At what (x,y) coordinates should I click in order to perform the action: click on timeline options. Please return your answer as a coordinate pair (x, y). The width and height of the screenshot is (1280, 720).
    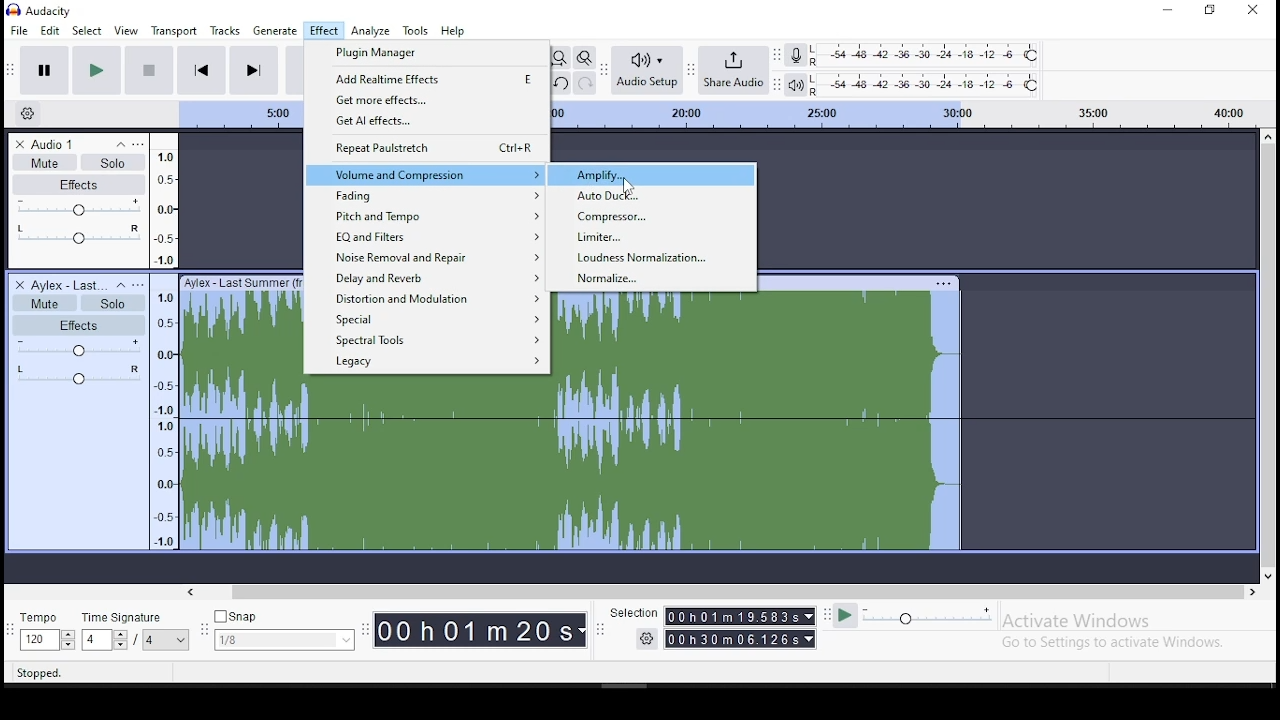
    Looking at the image, I should click on (27, 114).